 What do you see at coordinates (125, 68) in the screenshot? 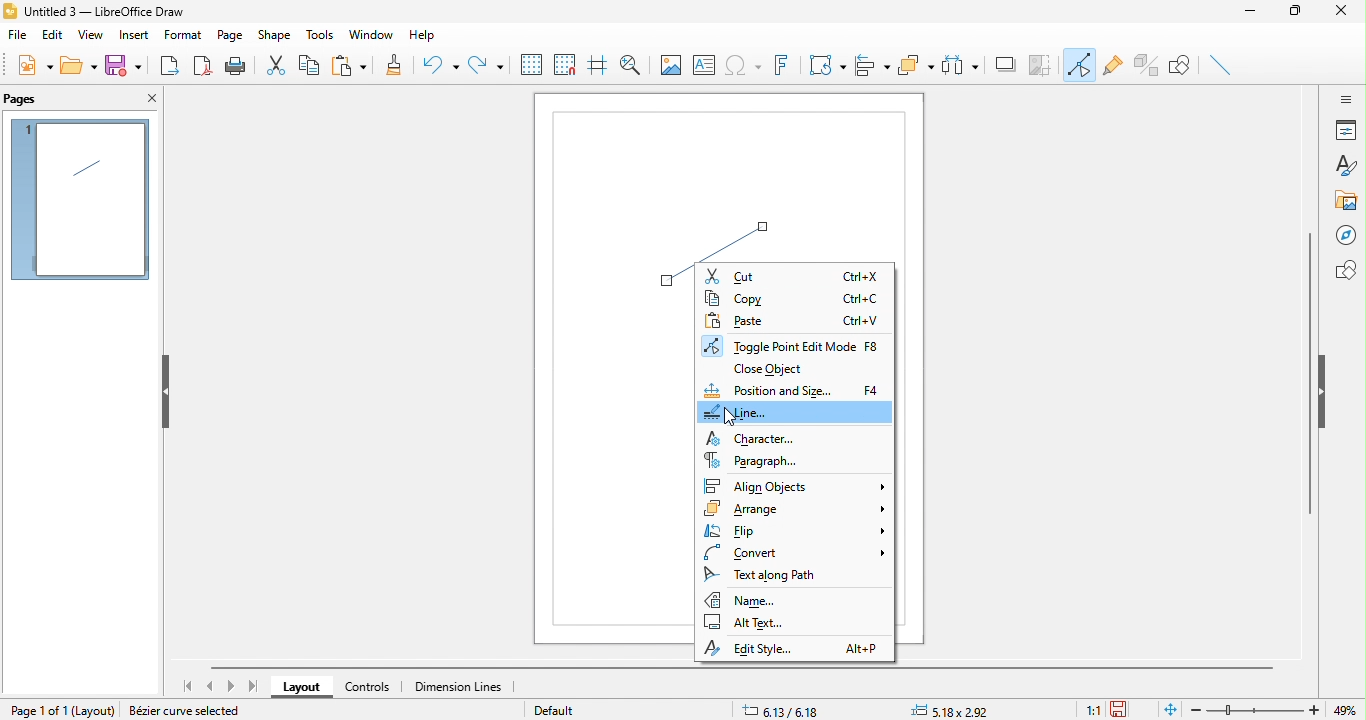
I see `save` at bounding box center [125, 68].